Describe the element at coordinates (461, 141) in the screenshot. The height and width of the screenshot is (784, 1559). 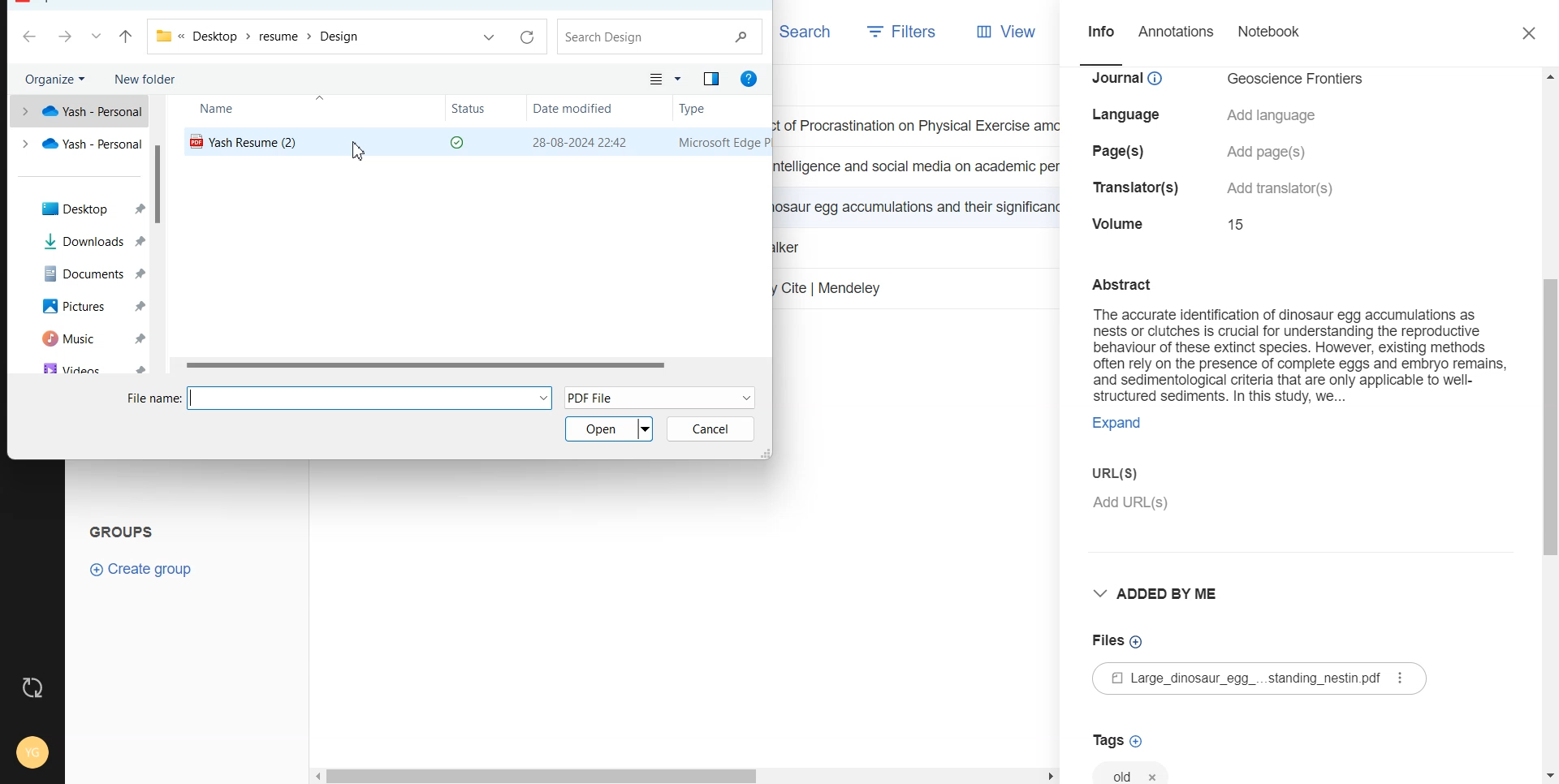
I see `Status` at that location.